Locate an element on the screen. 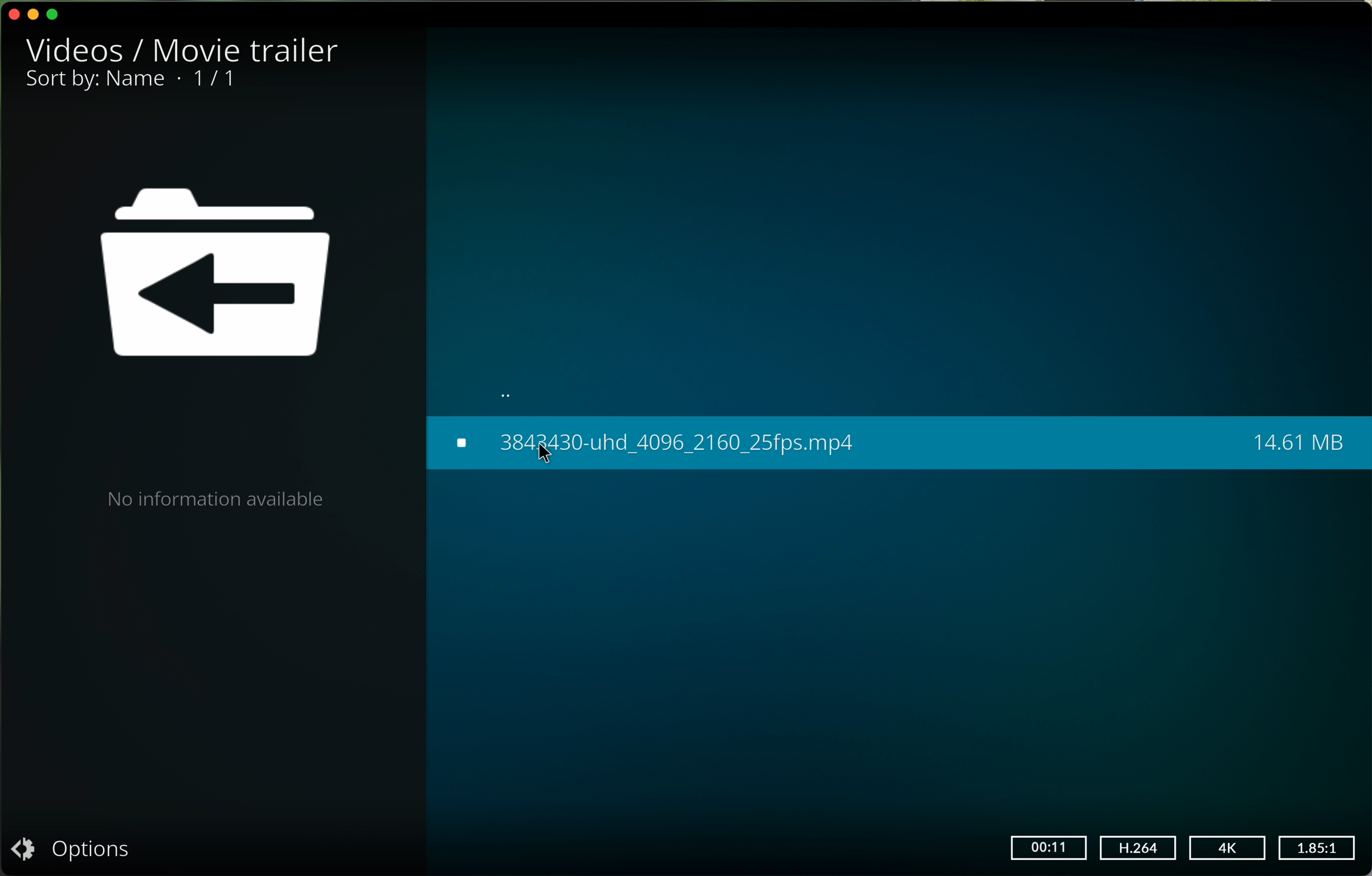 The height and width of the screenshot is (876, 1372). sort by is located at coordinates (95, 77).